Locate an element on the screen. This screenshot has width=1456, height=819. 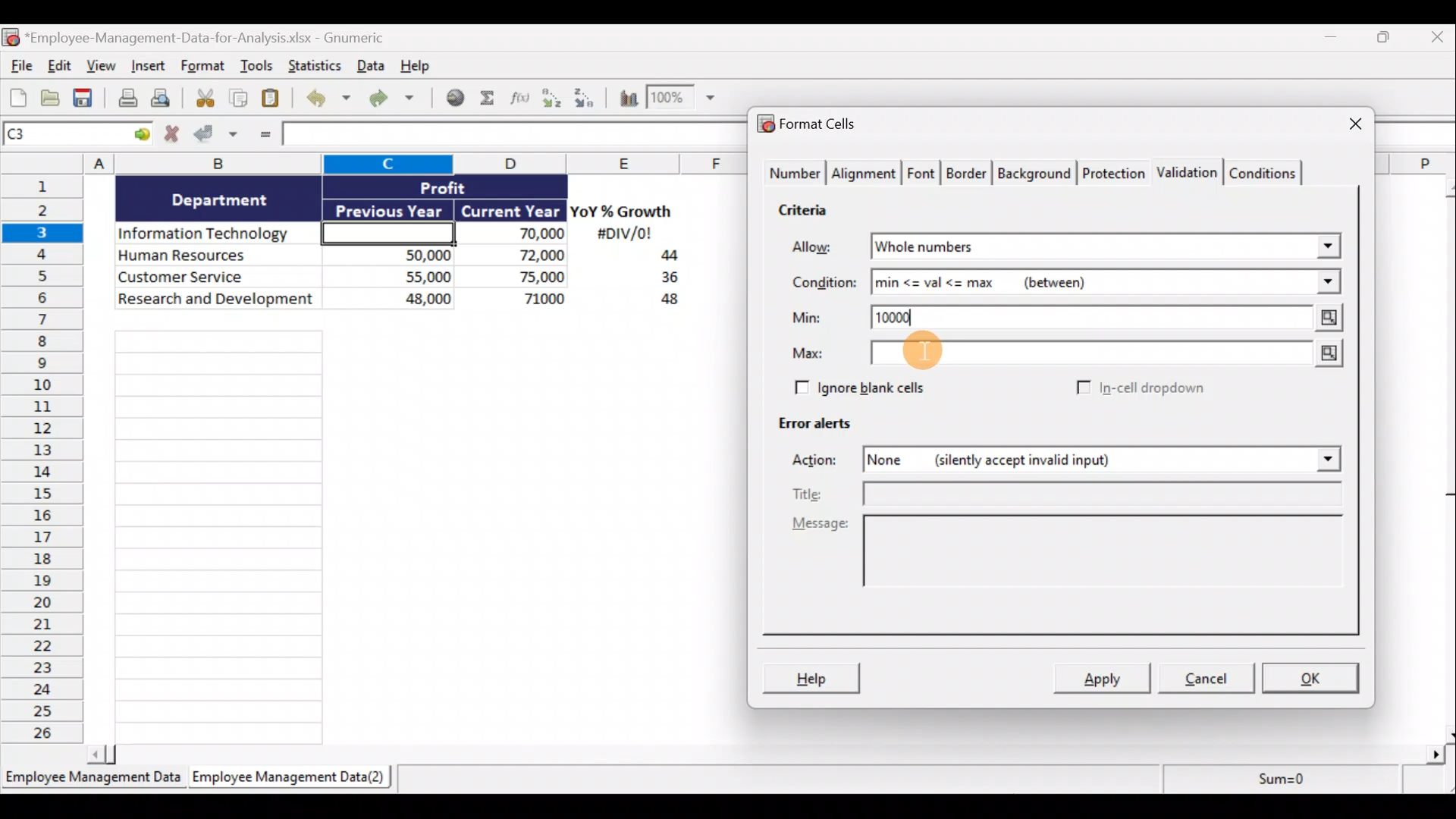
72,000 is located at coordinates (518, 256).